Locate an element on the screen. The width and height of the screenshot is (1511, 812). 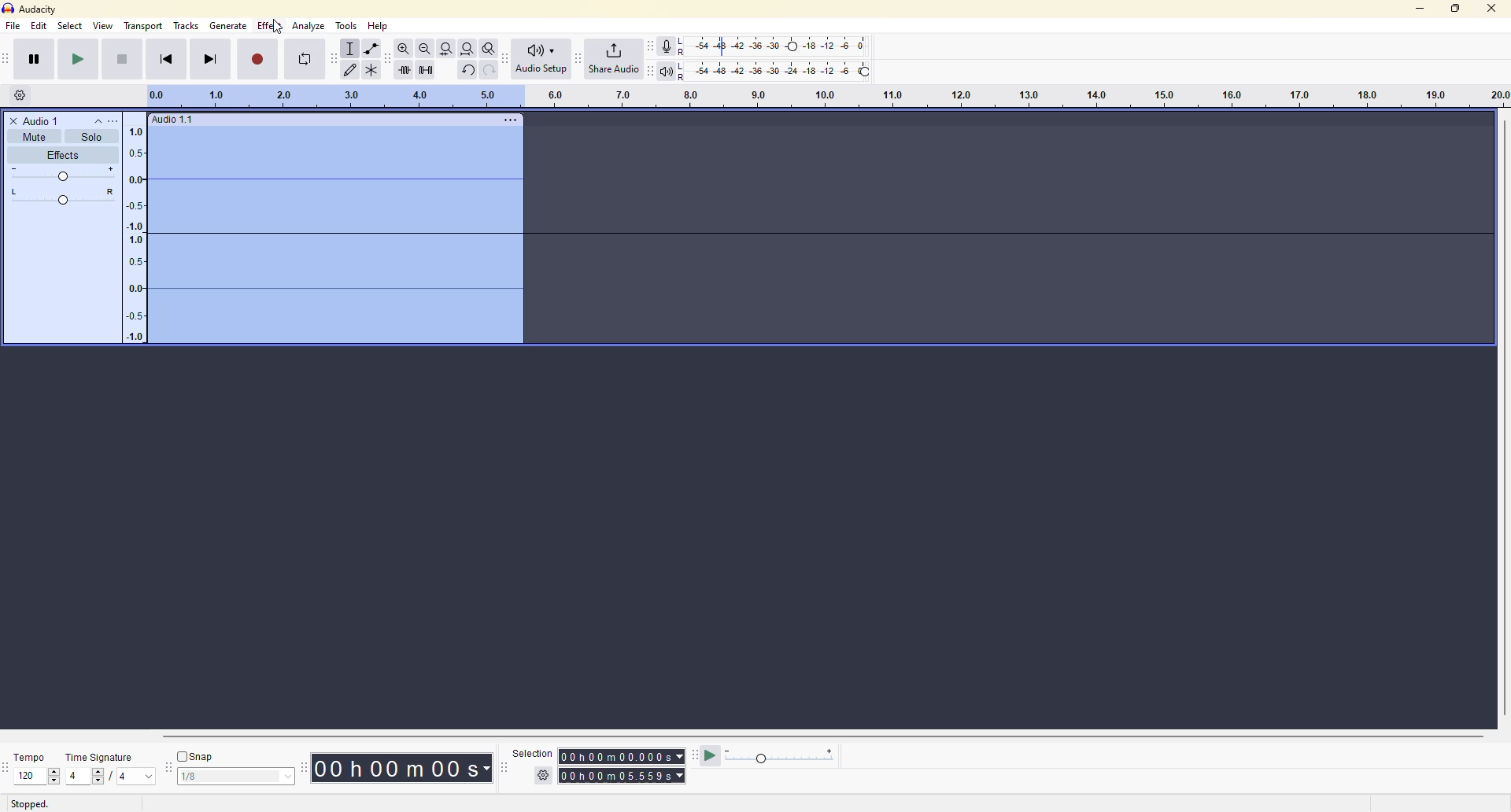
close is located at coordinates (1493, 8).